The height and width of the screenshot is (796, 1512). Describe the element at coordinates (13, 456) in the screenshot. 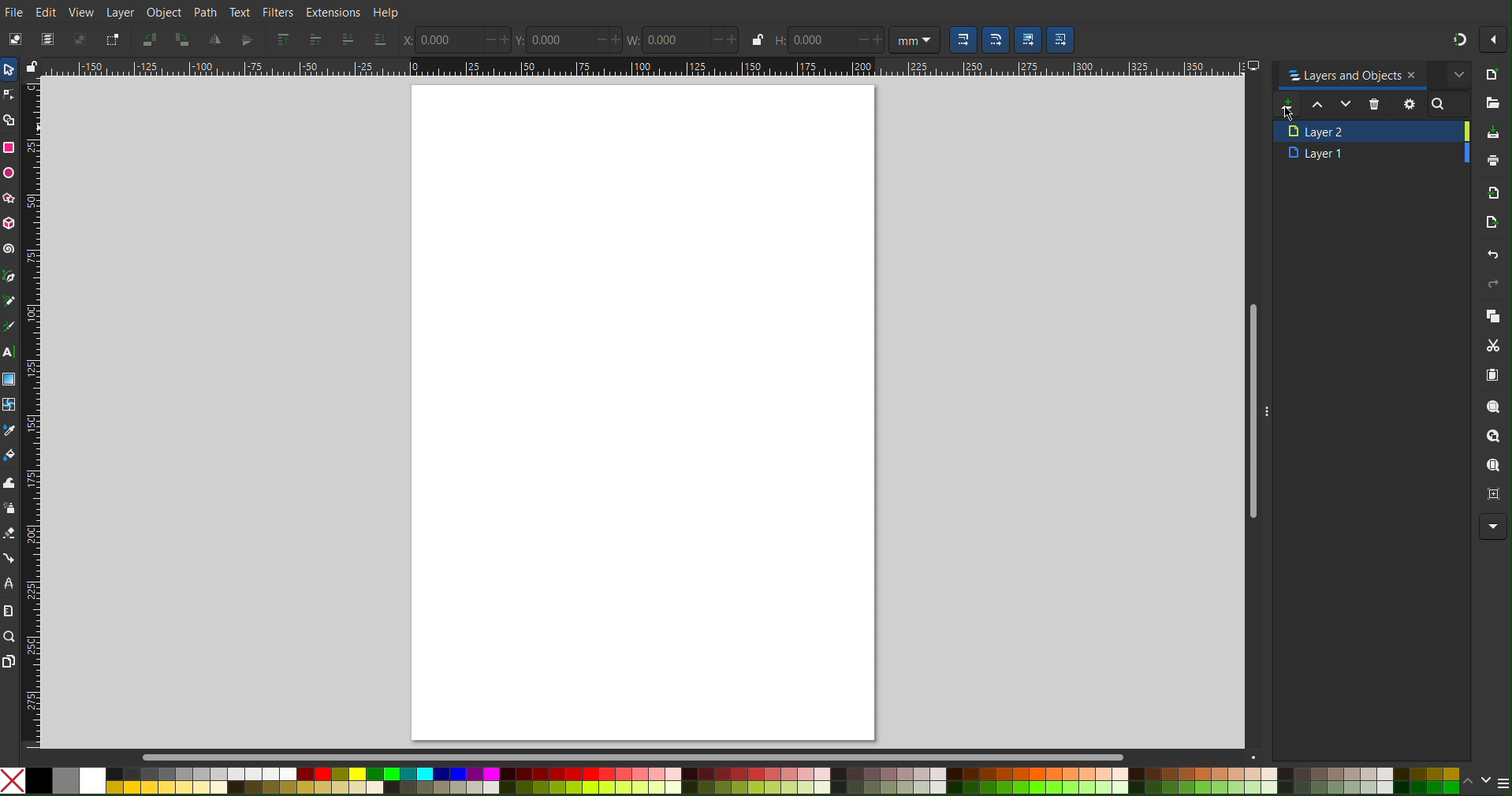

I see `Fill Color` at that location.